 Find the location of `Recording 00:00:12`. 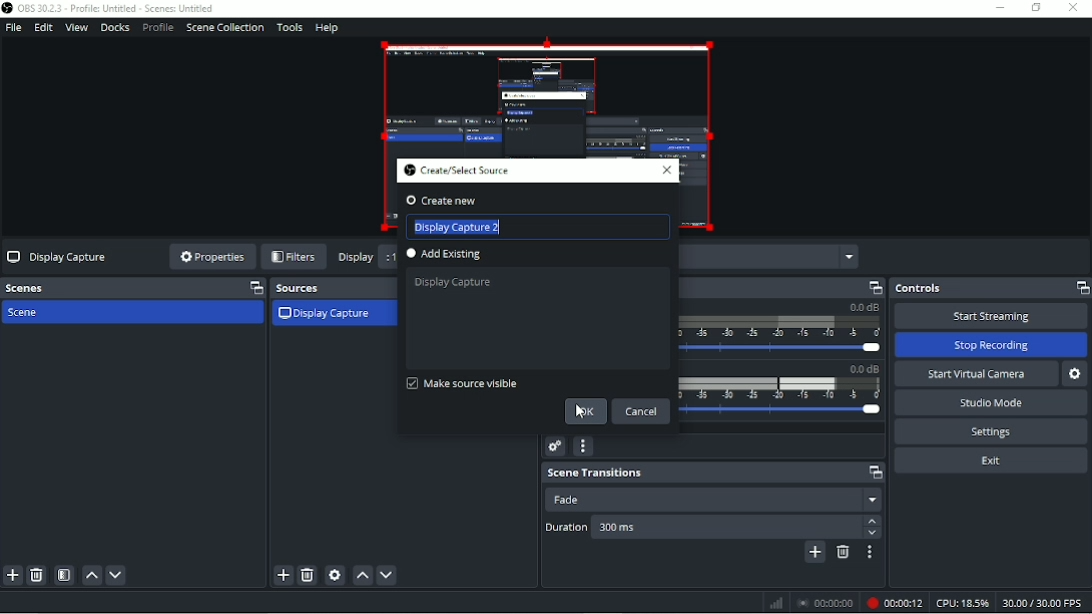

Recording 00:00:12 is located at coordinates (894, 602).